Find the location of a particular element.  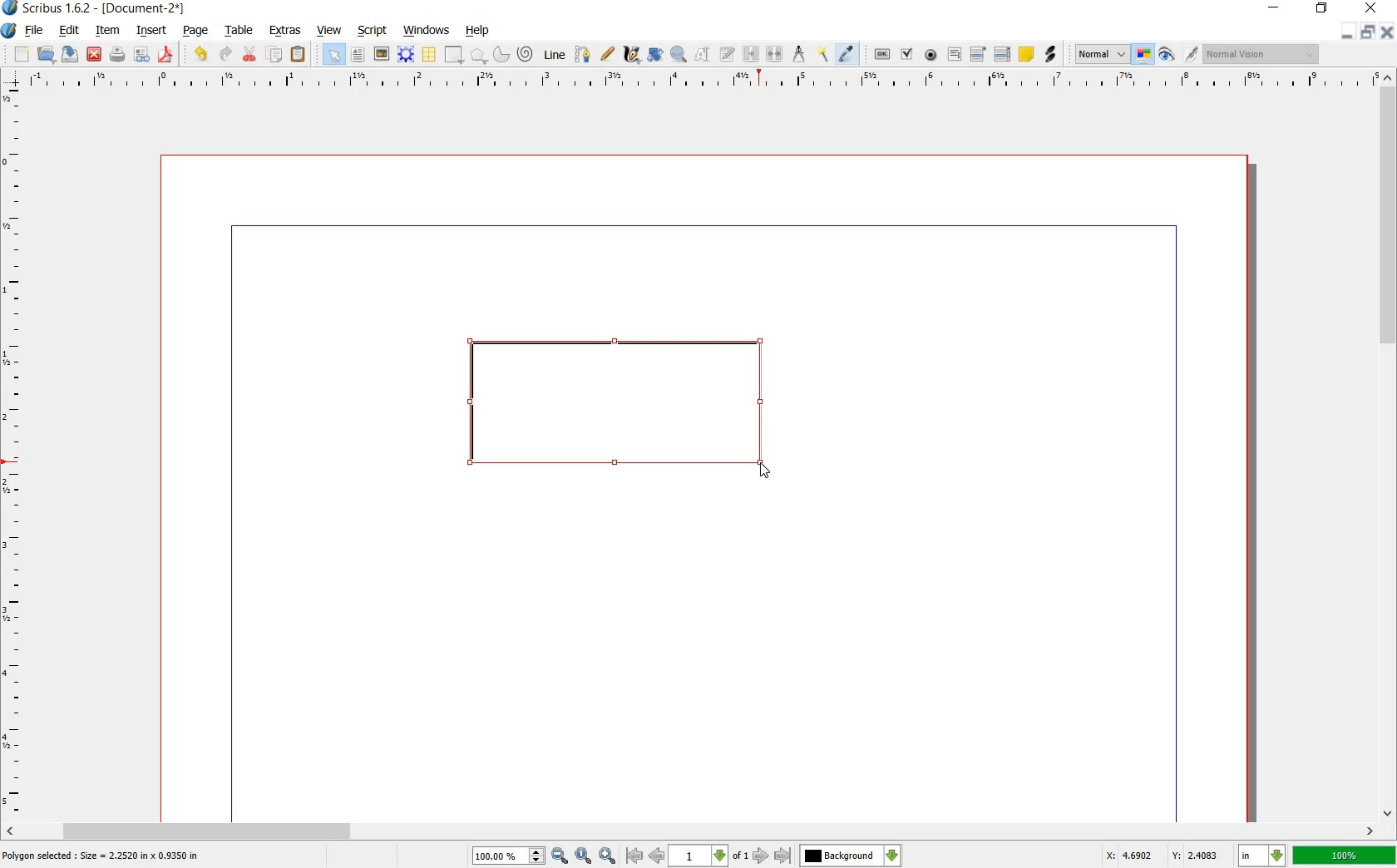

EYE DROPPER is located at coordinates (849, 54).